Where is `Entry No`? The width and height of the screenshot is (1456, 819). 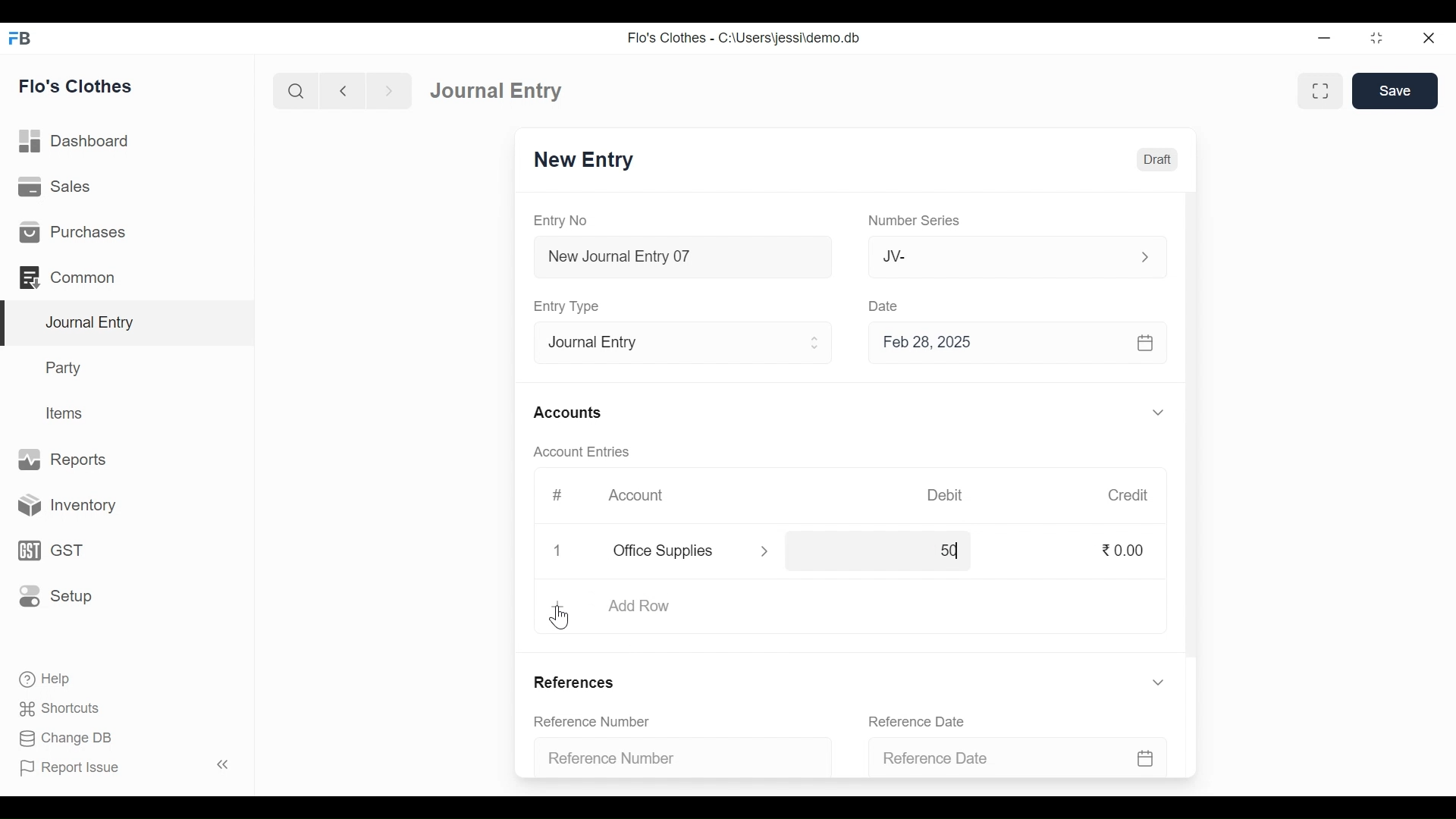 Entry No is located at coordinates (560, 220).